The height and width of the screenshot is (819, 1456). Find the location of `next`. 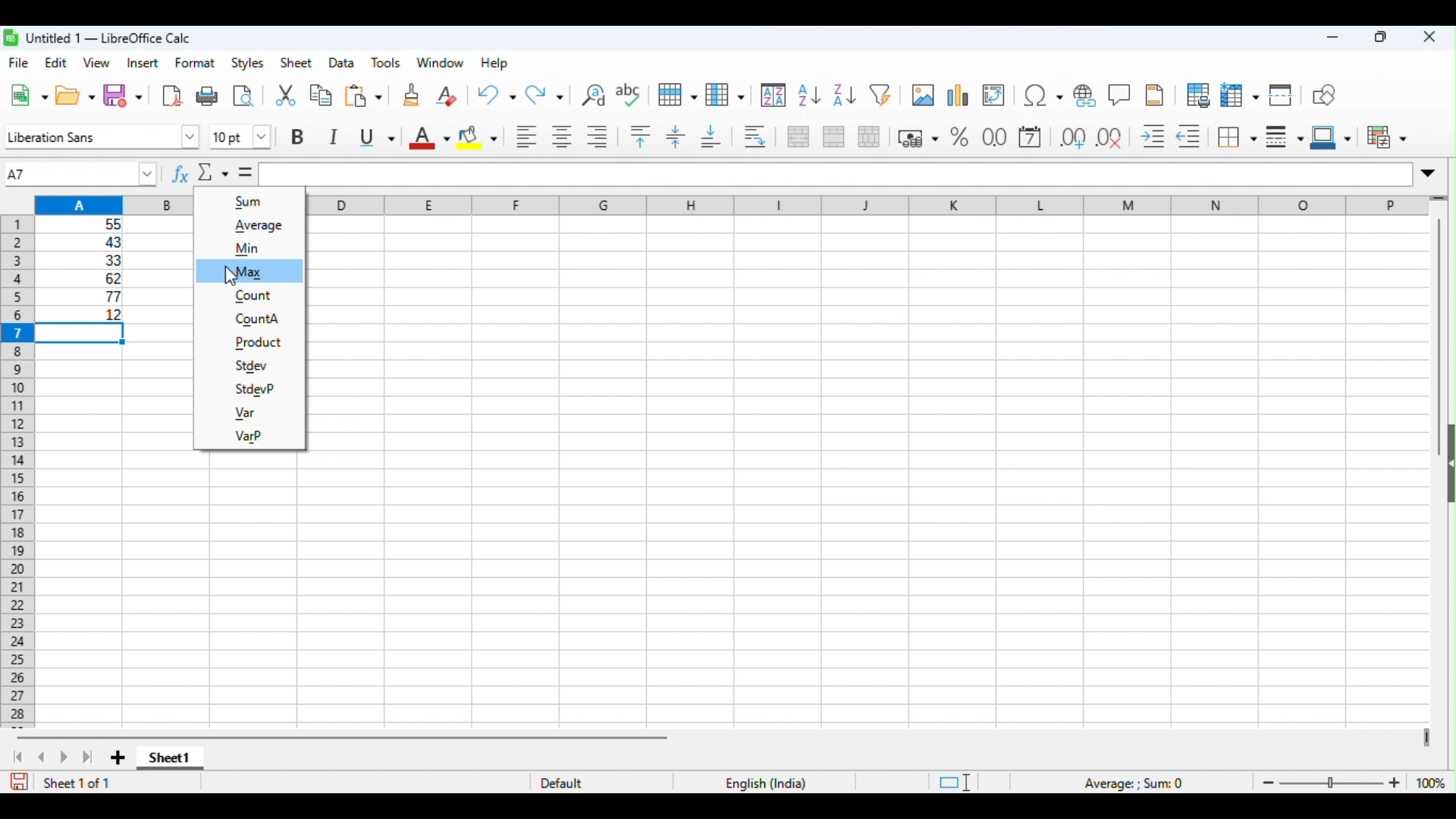

next is located at coordinates (62, 757).